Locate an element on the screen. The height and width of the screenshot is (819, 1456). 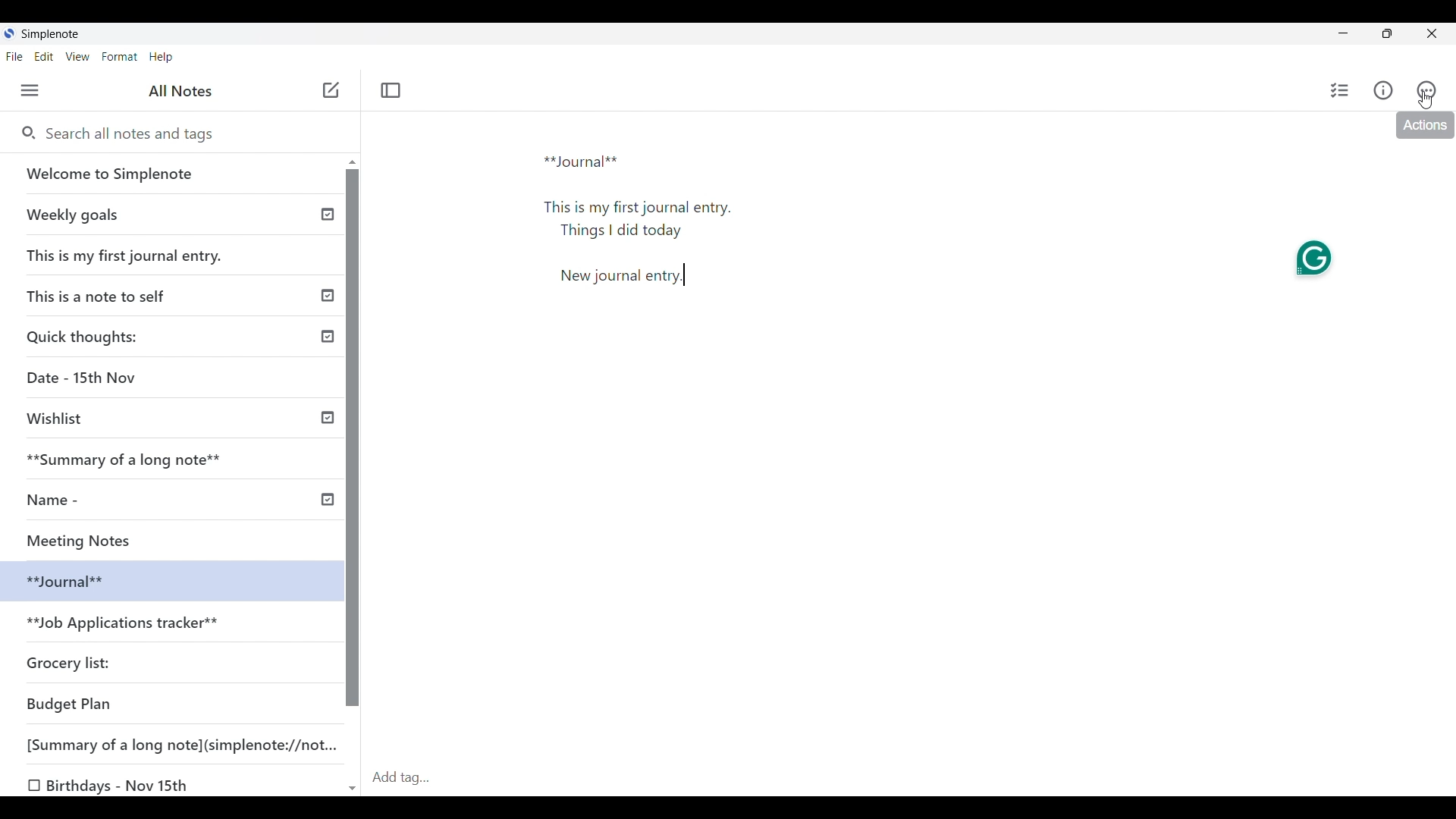
Date - 15th Nov is located at coordinates (84, 378).